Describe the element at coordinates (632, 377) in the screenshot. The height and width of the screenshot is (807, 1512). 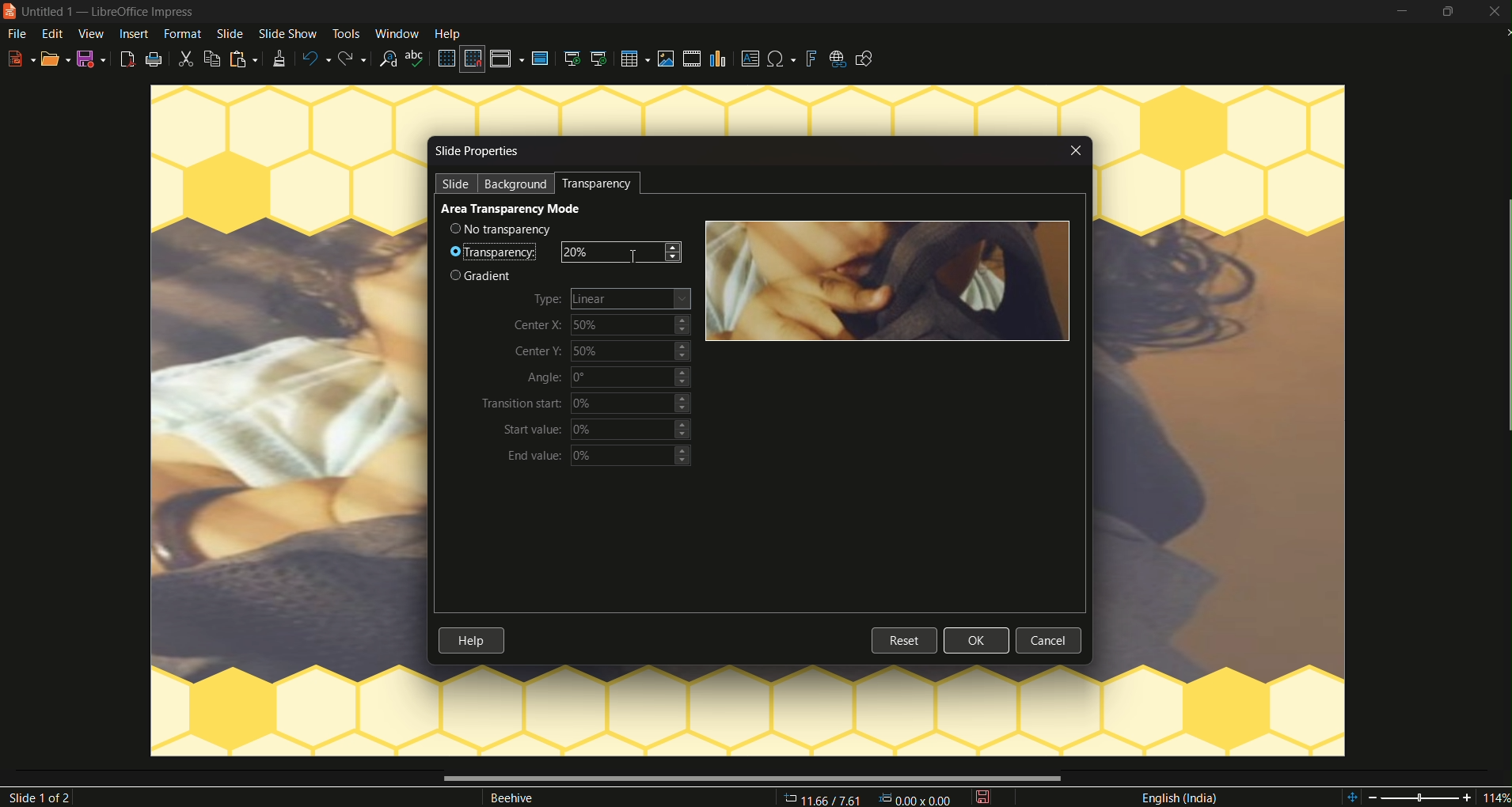
I see `0` at that location.